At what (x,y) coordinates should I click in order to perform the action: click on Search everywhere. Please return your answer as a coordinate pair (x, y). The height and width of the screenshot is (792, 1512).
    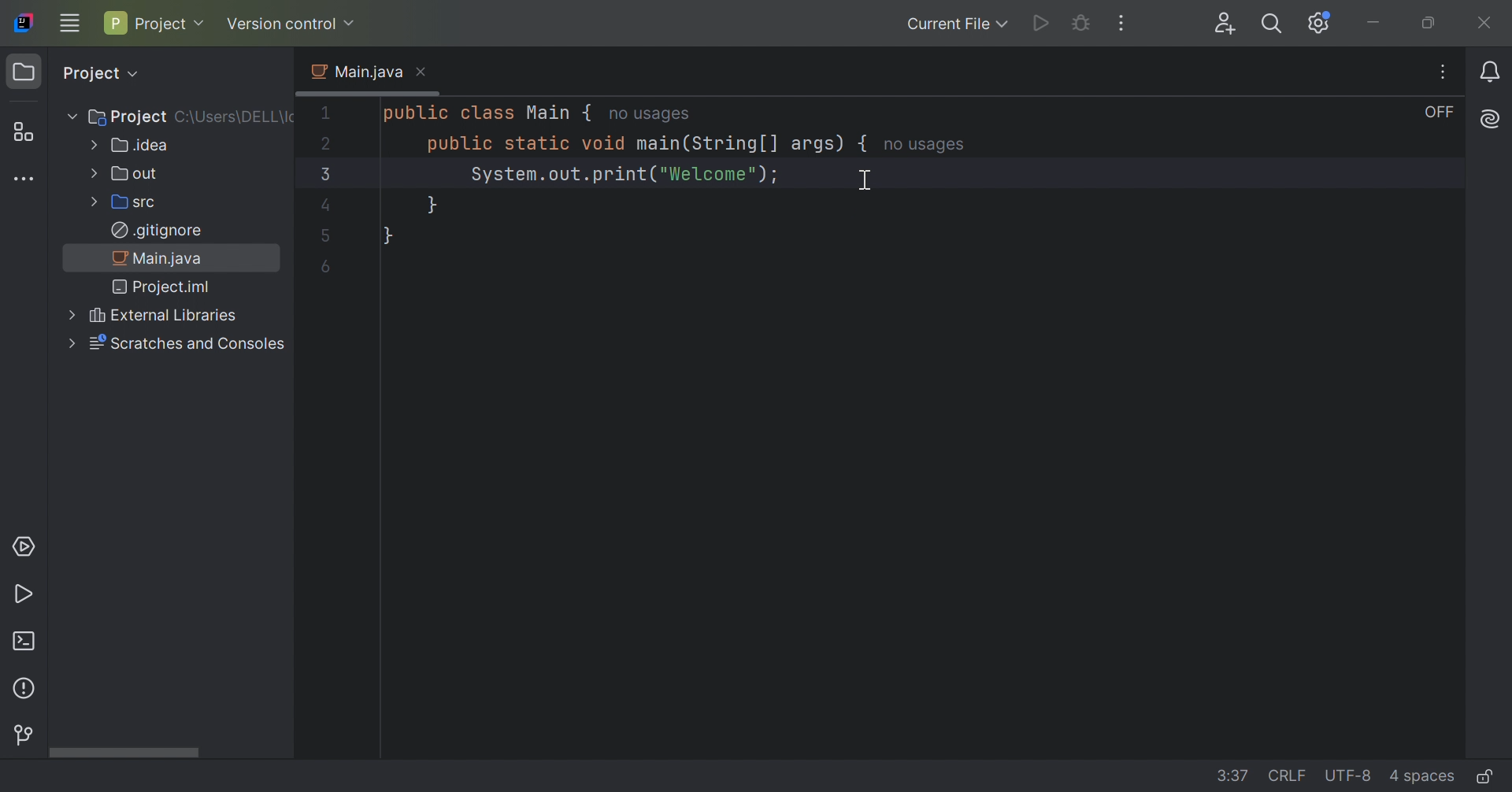
    Looking at the image, I should click on (1270, 25).